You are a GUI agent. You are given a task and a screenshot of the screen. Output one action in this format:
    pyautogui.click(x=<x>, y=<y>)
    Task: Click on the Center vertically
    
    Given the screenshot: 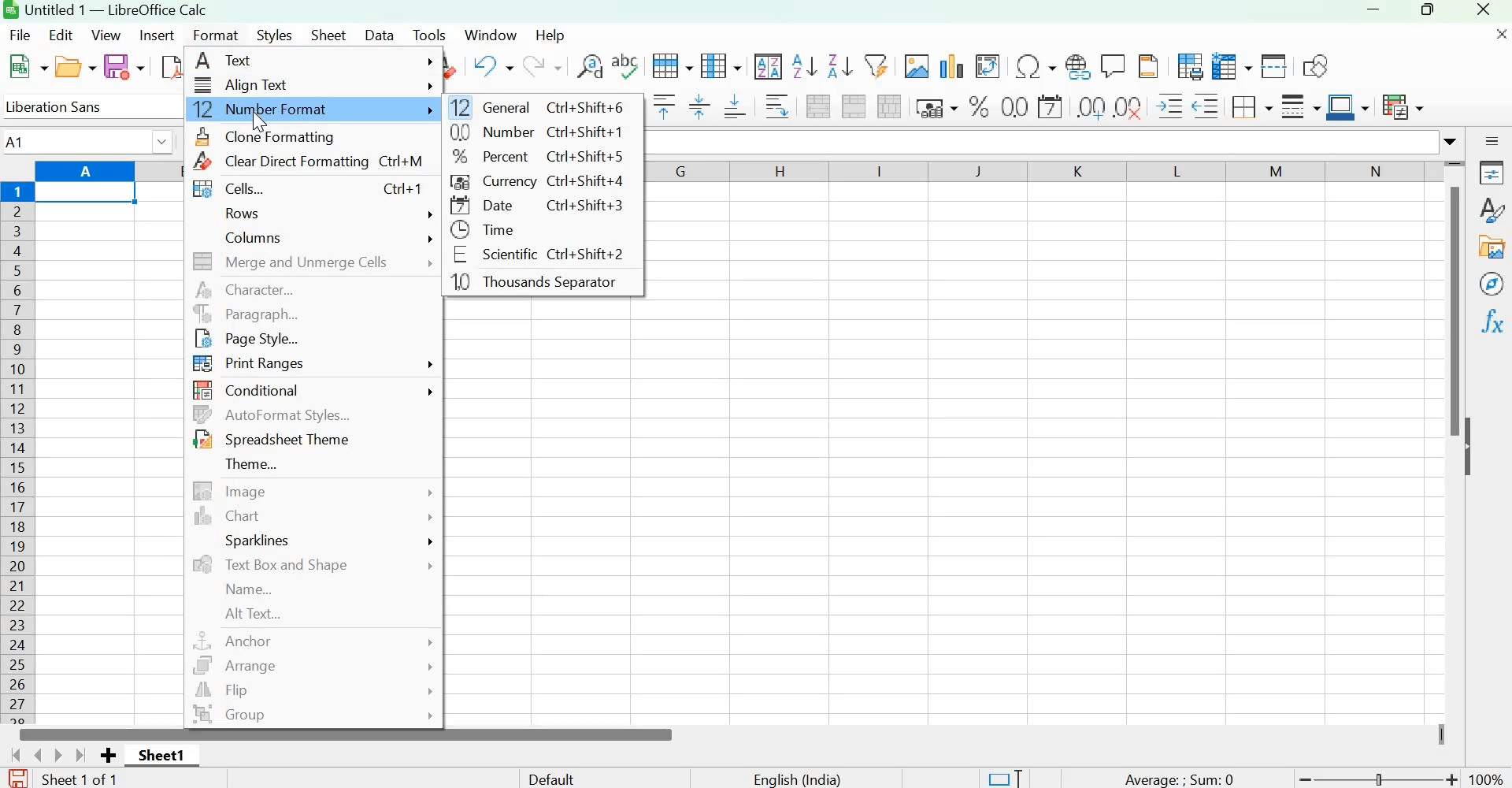 What is the action you would take?
    pyautogui.click(x=698, y=107)
    